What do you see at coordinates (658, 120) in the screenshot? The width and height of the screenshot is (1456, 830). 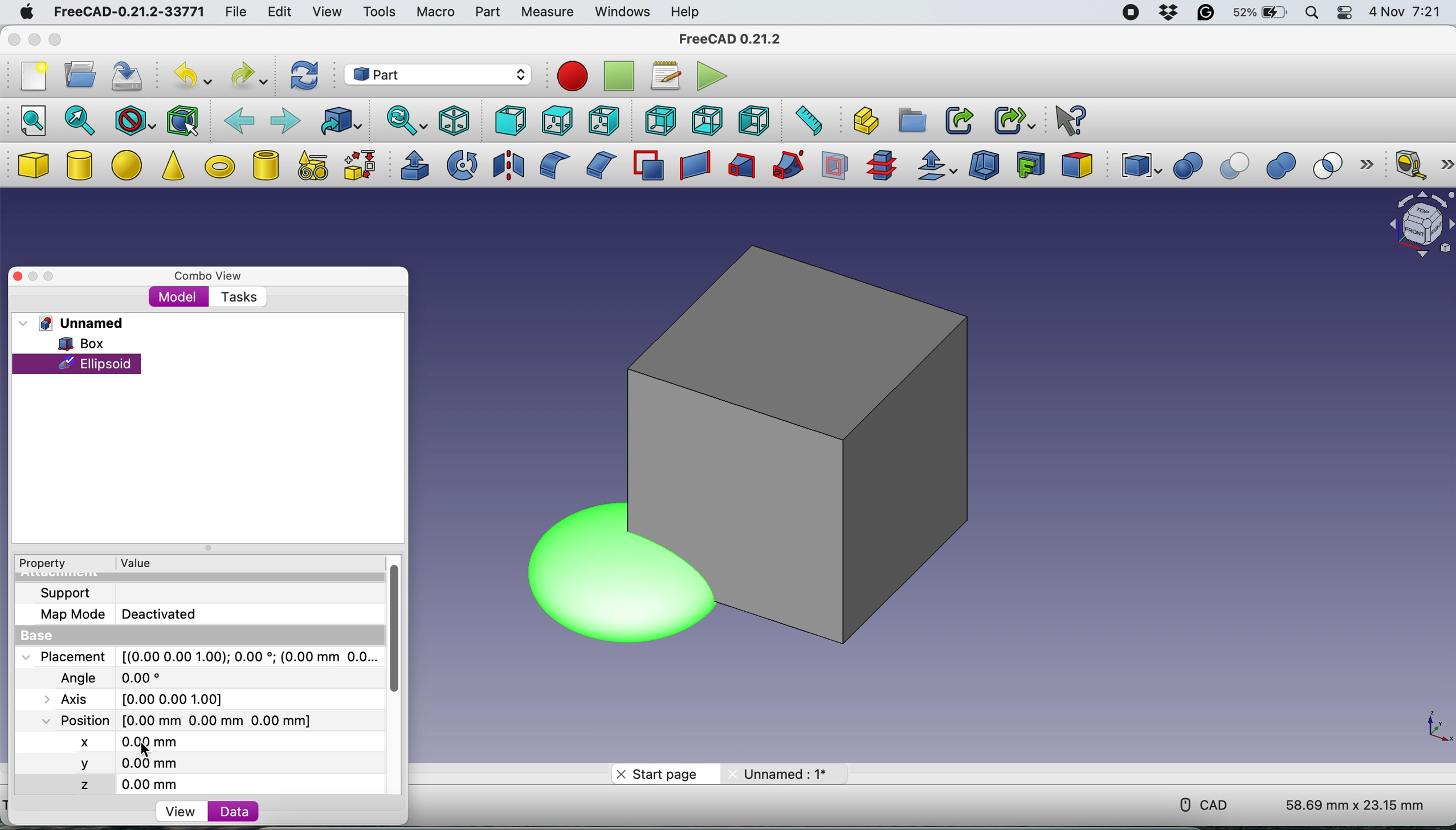 I see `rear` at bounding box center [658, 120].